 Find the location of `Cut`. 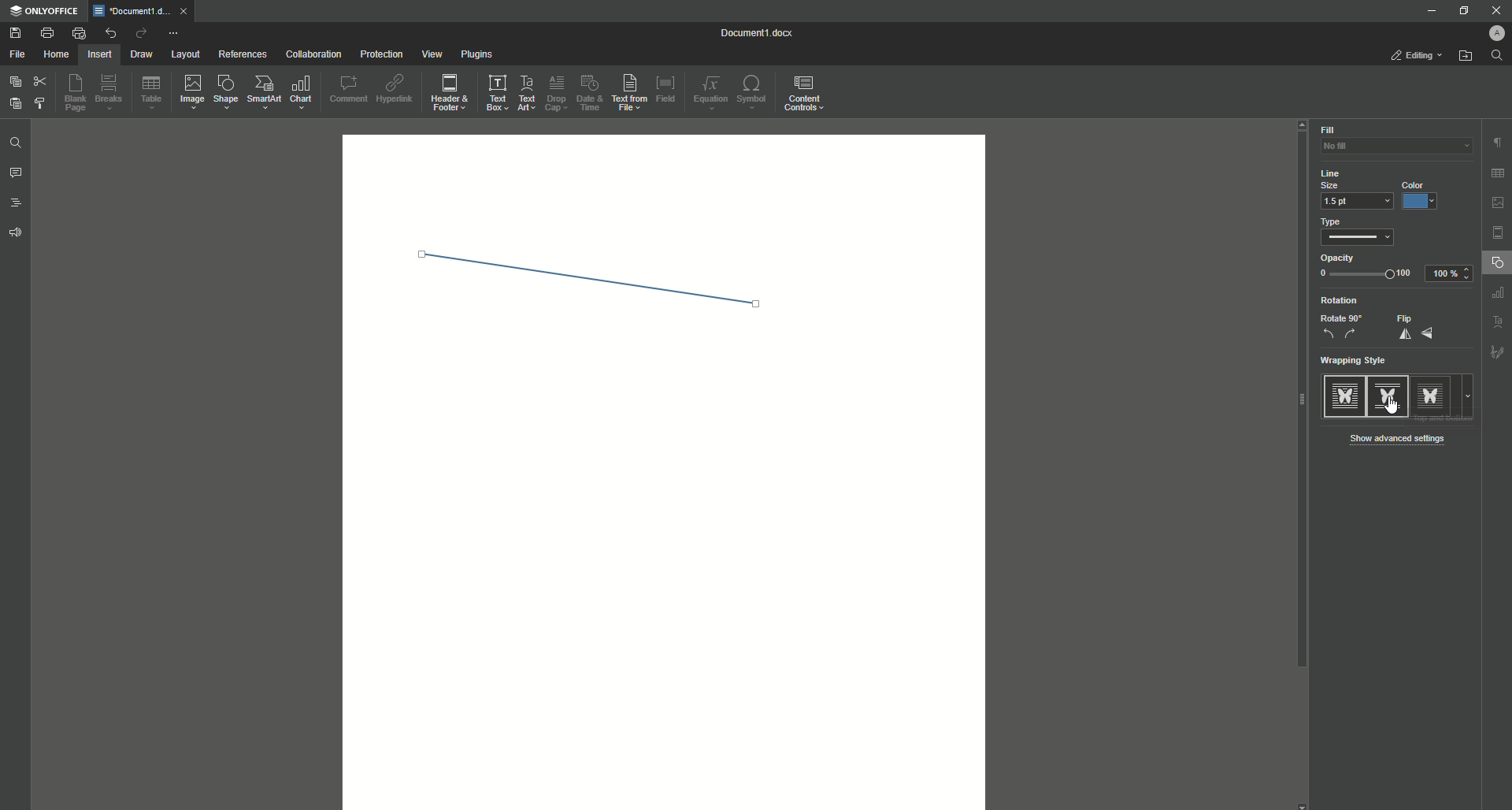

Cut is located at coordinates (39, 81).